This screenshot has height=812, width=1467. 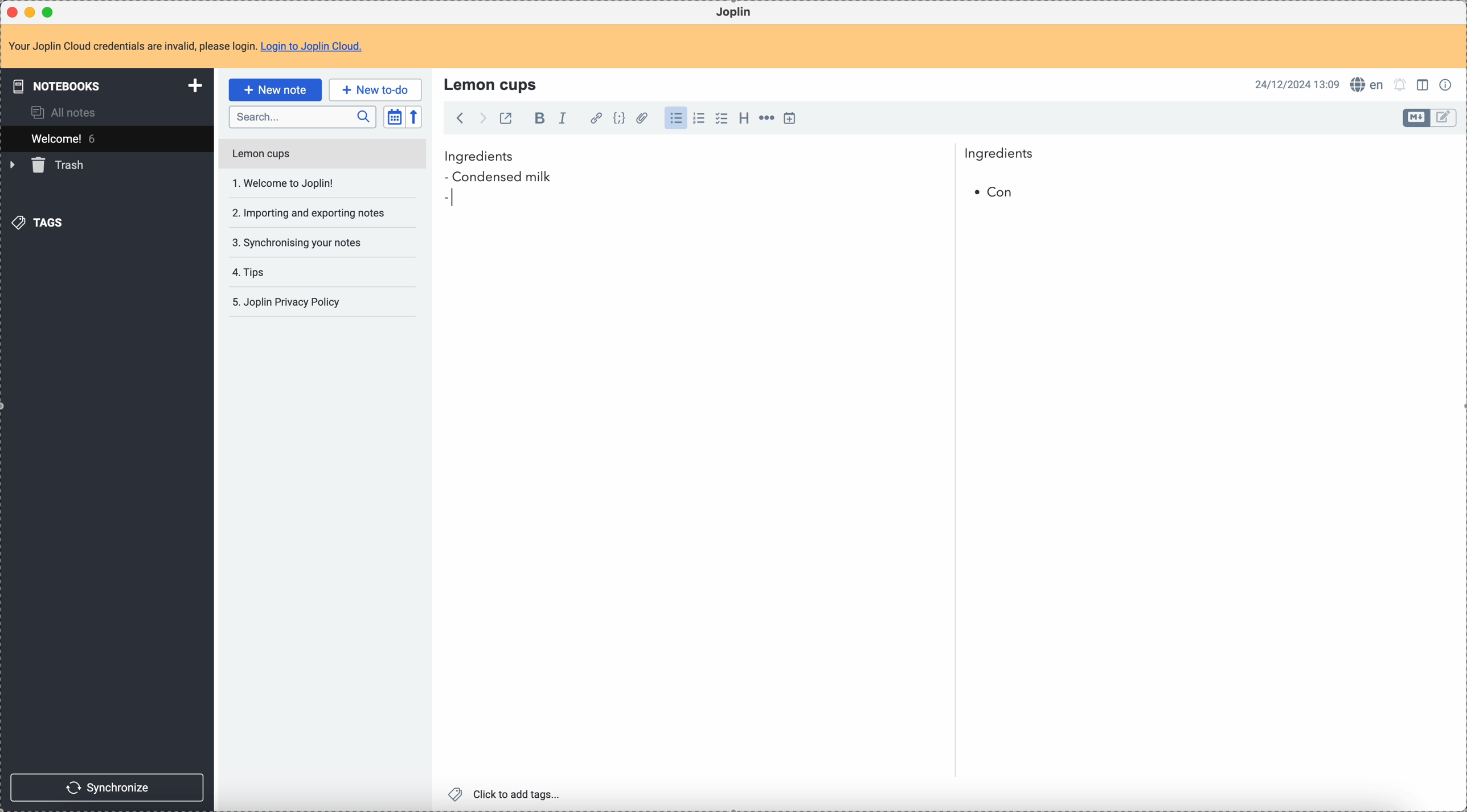 What do you see at coordinates (394, 117) in the screenshot?
I see `toggle sort order field` at bounding box center [394, 117].